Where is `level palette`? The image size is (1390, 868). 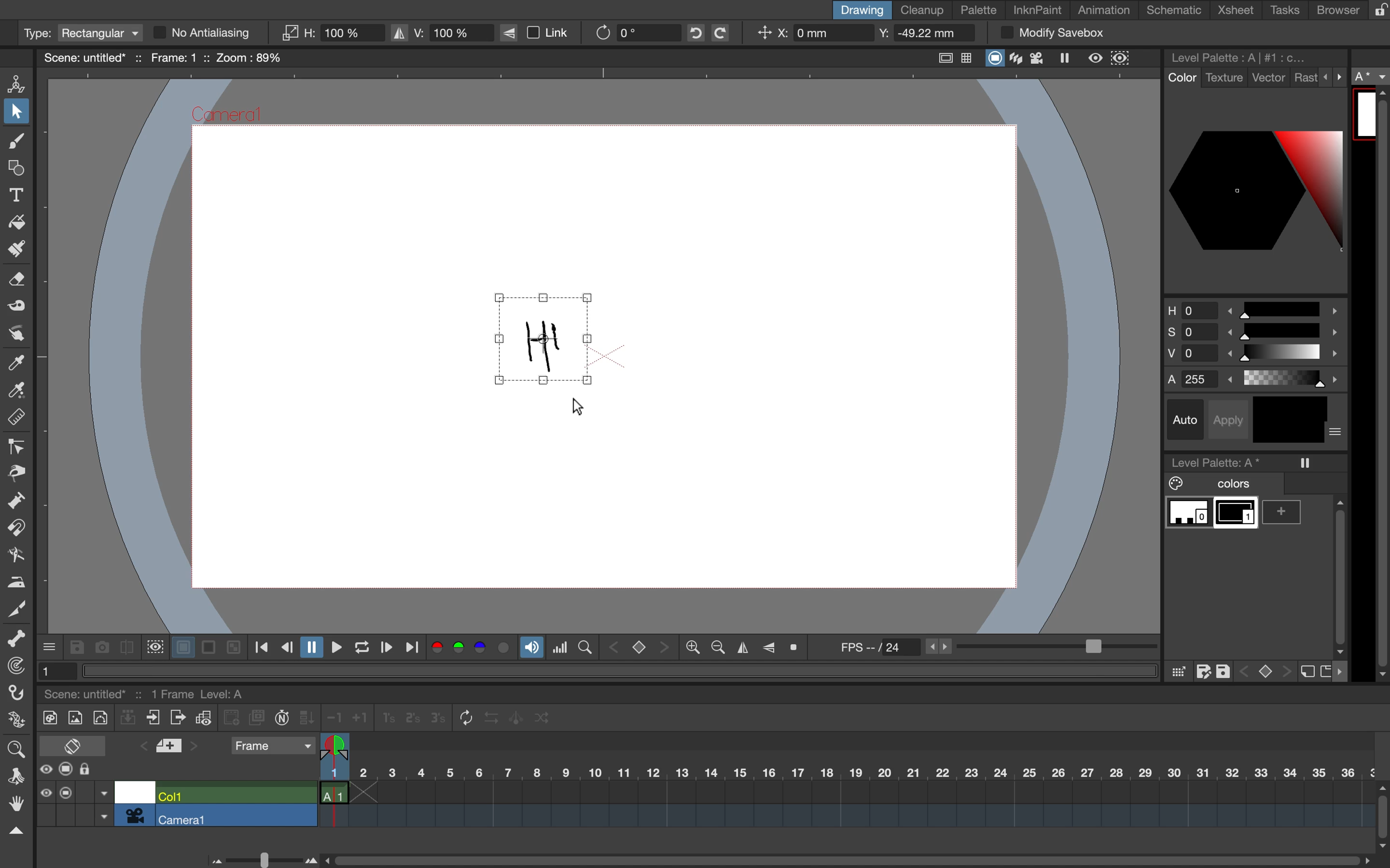
level palette is located at coordinates (1242, 57).